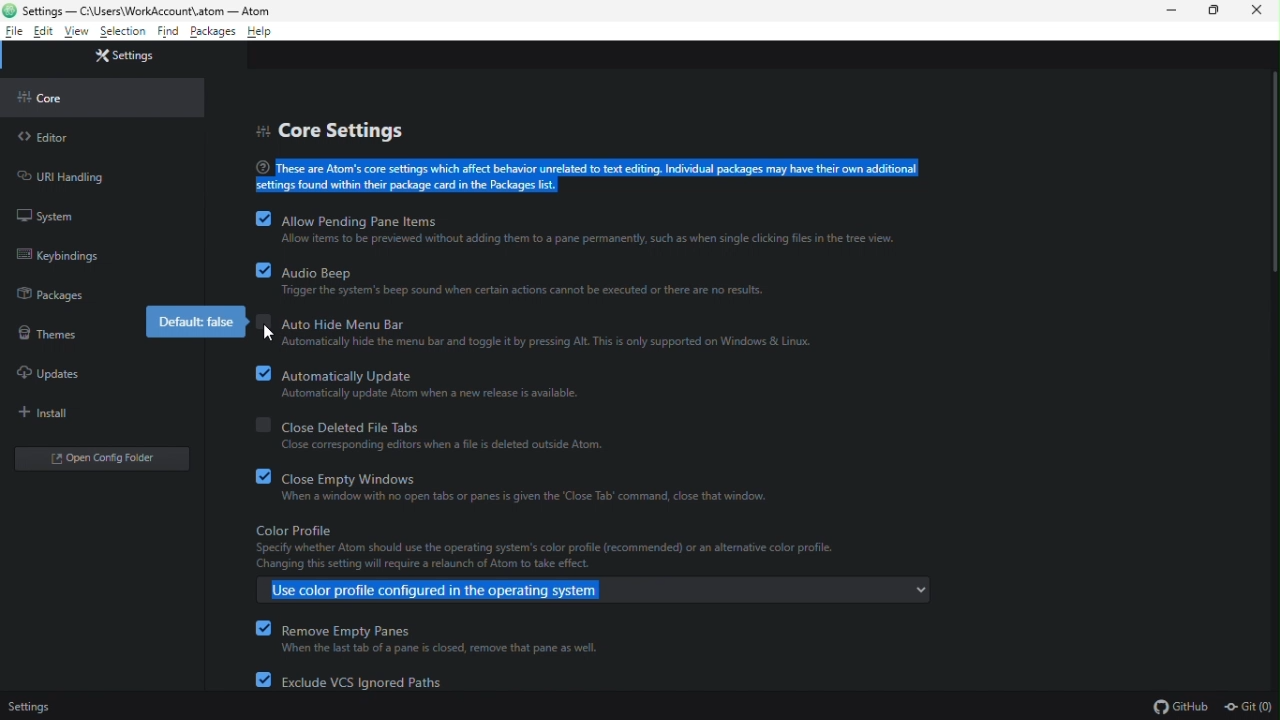  I want to click on help, so click(264, 32).